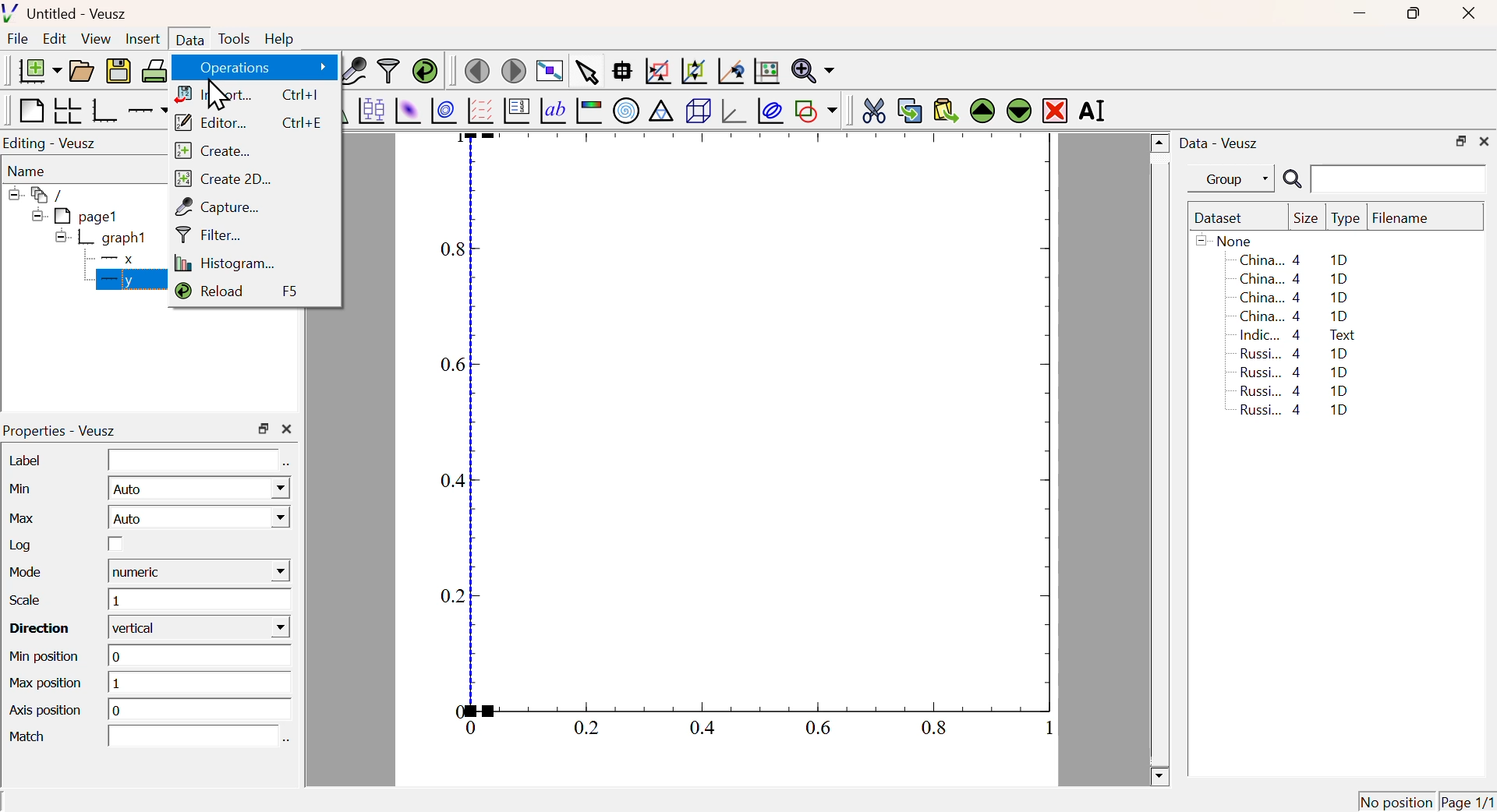 This screenshot has height=812, width=1497. Describe the element at coordinates (693, 69) in the screenshot. I see `Zoom out graph axis` at that location.